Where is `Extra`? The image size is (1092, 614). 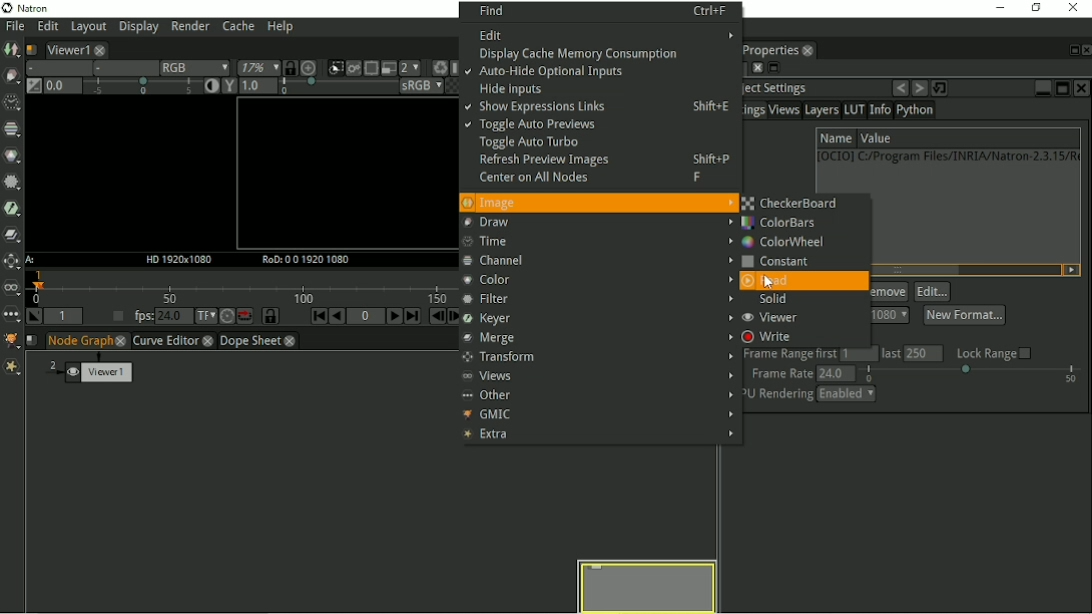 Extra is located at coordinates (598, 435).